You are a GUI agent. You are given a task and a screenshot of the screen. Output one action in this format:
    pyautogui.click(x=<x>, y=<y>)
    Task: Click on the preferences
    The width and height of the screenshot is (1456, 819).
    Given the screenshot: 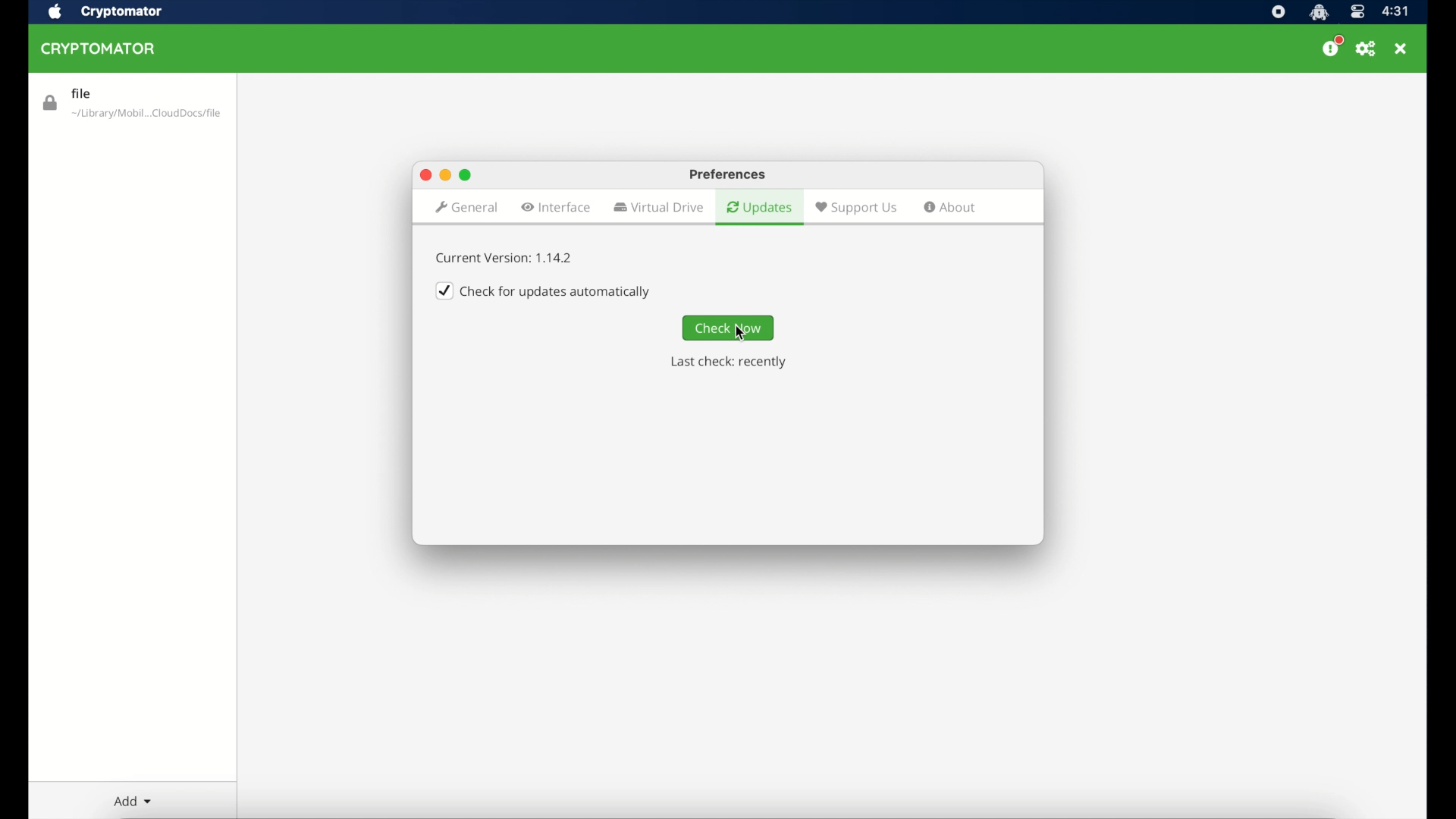 What is the action you would take?
    pyautogui.click(x=727, y=174)
    